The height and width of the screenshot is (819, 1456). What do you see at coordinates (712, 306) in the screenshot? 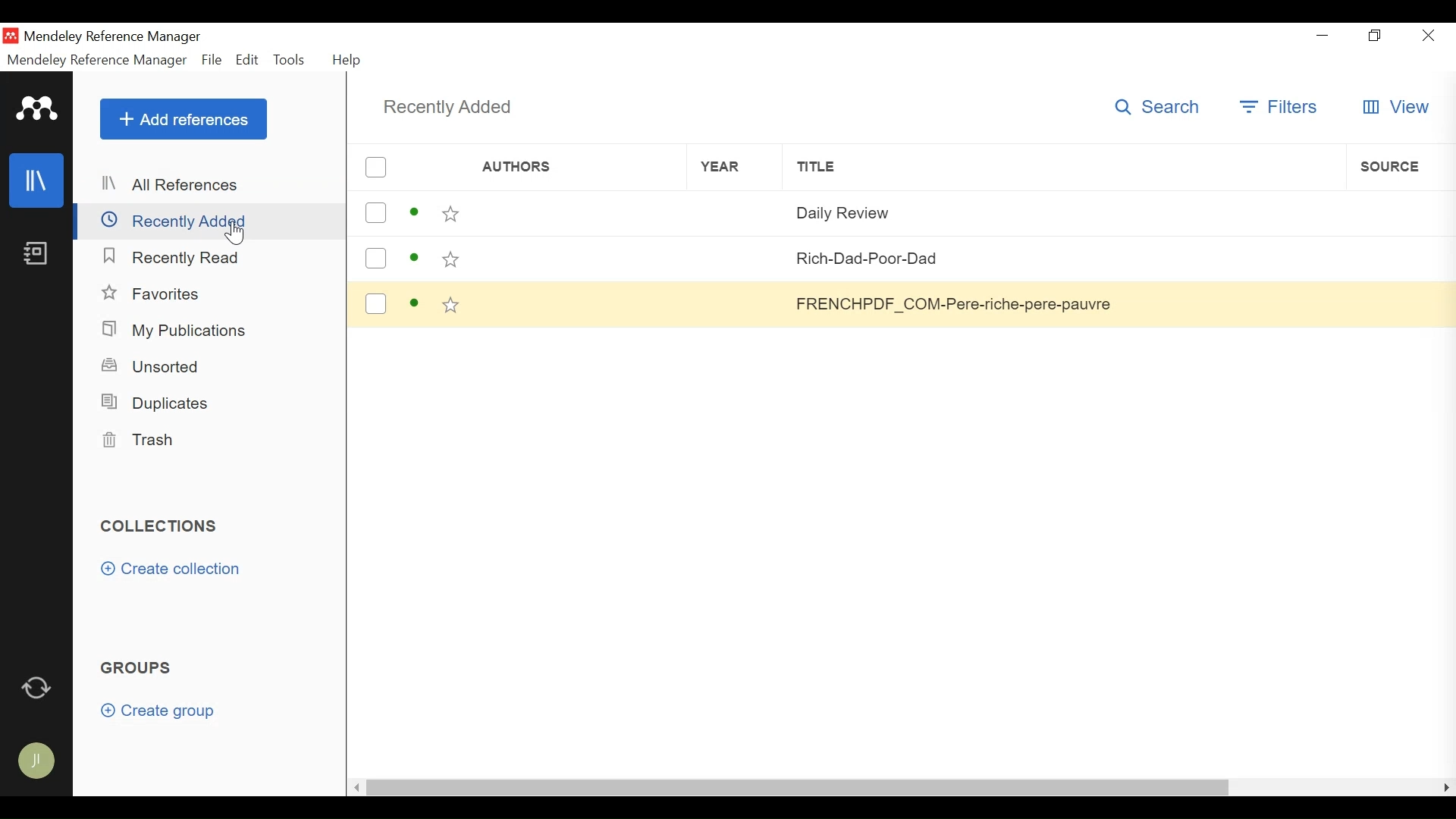
I see `Year` at bounding box center [712, 306].